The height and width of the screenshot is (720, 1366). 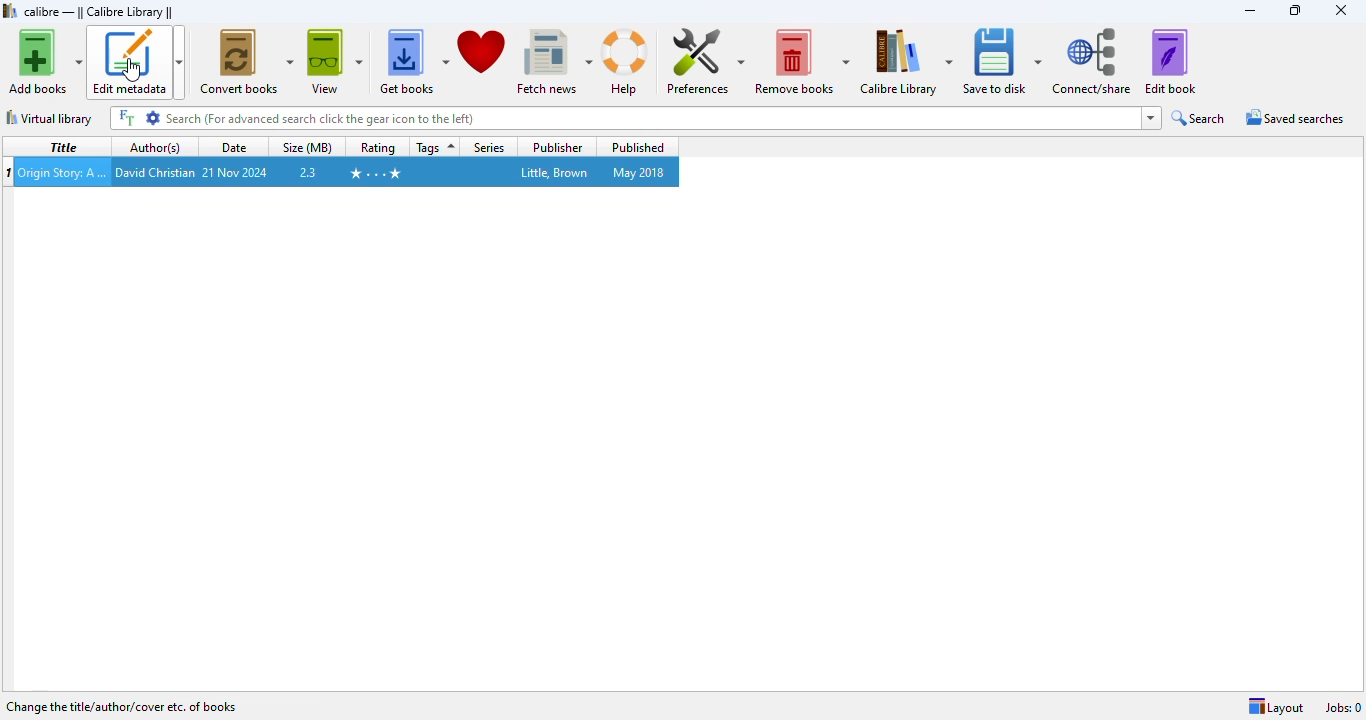 What do you see at coordinates (10, 11) in the screenshot?
I see `logo` at bounding box center [10, 11].